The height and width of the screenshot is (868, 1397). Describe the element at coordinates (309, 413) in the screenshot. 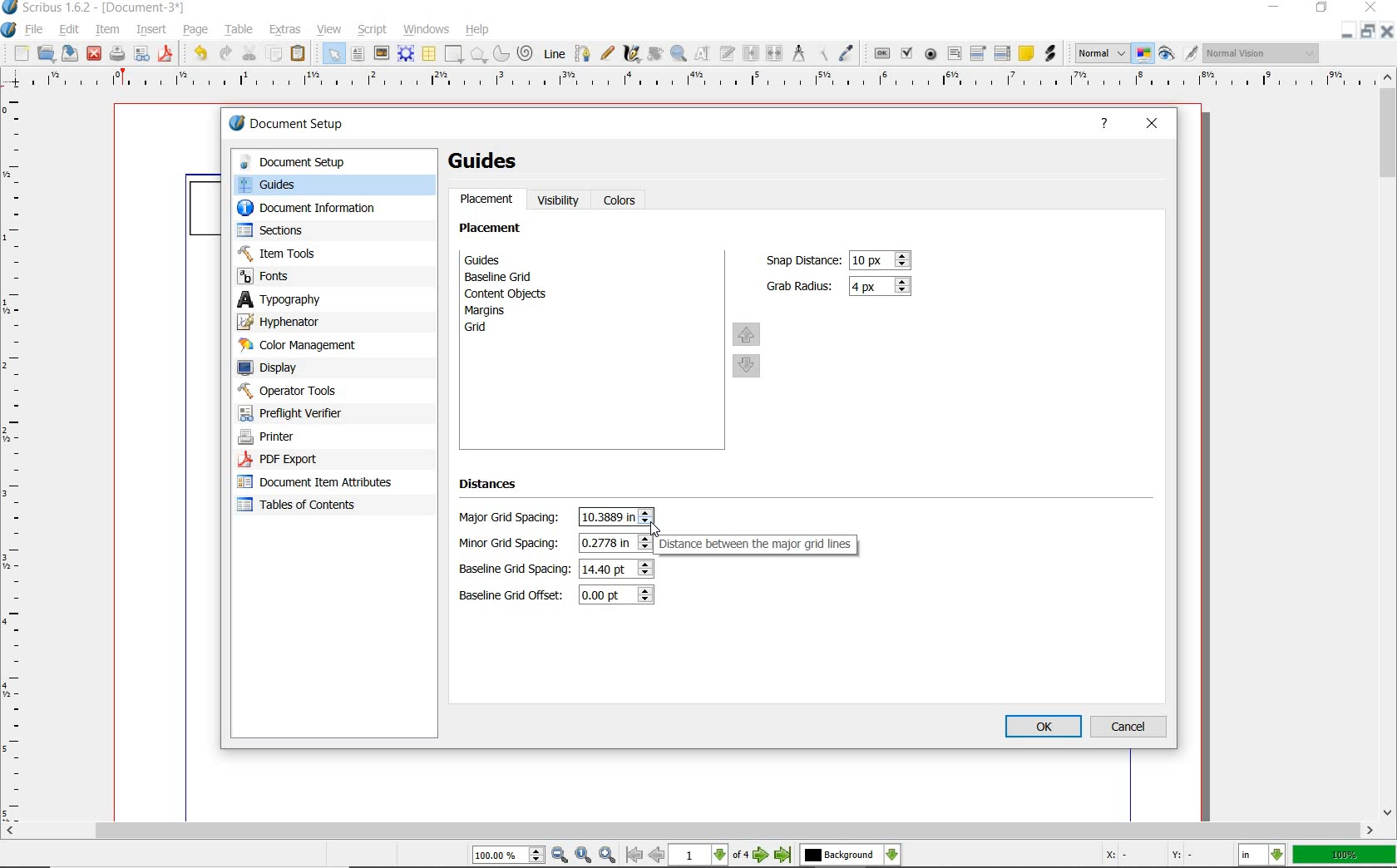

I see `preflight verifier` at that location.